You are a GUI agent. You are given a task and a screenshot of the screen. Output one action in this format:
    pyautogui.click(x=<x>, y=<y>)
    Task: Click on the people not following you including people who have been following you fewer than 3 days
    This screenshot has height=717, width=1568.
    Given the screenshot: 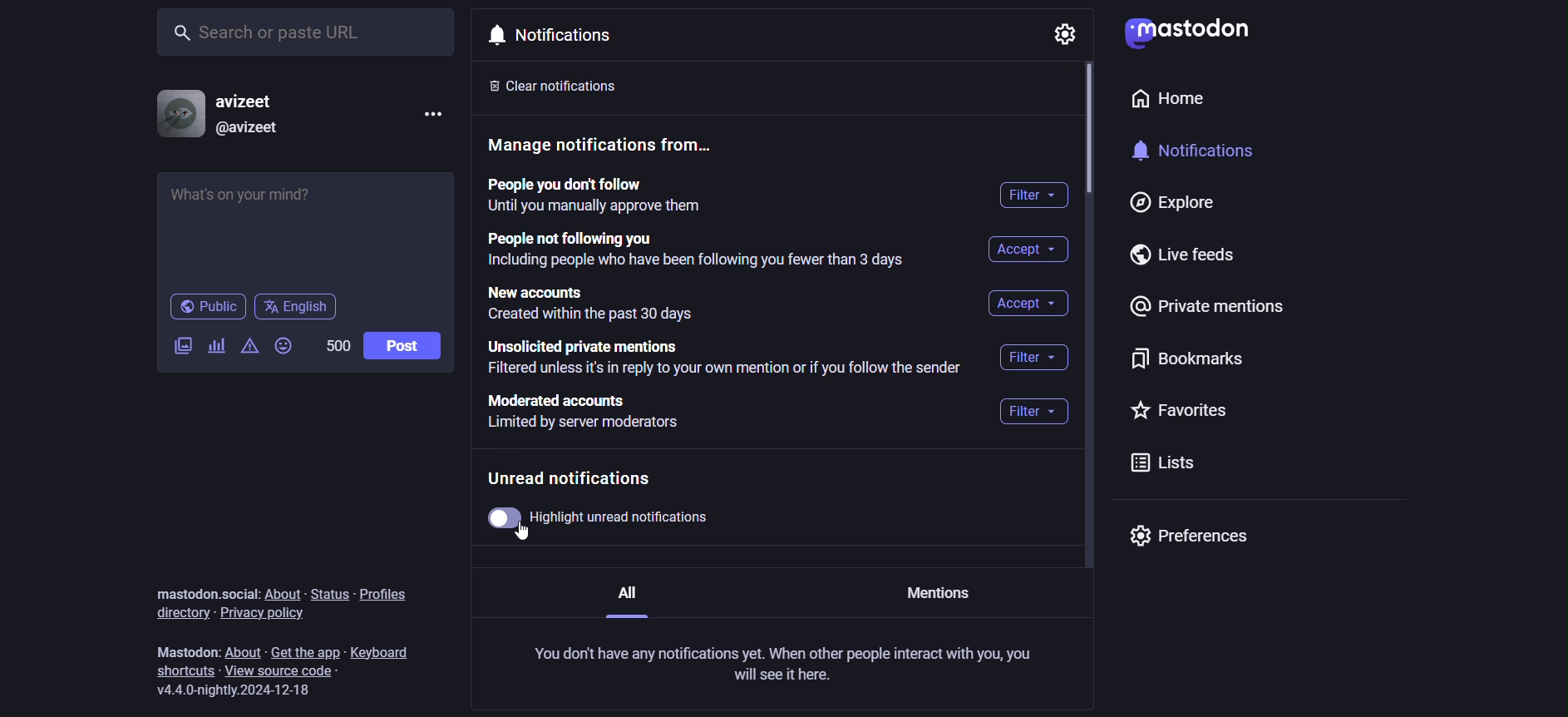 What is the action you would take?
    pyautogui.click(x=699, y=250)
    